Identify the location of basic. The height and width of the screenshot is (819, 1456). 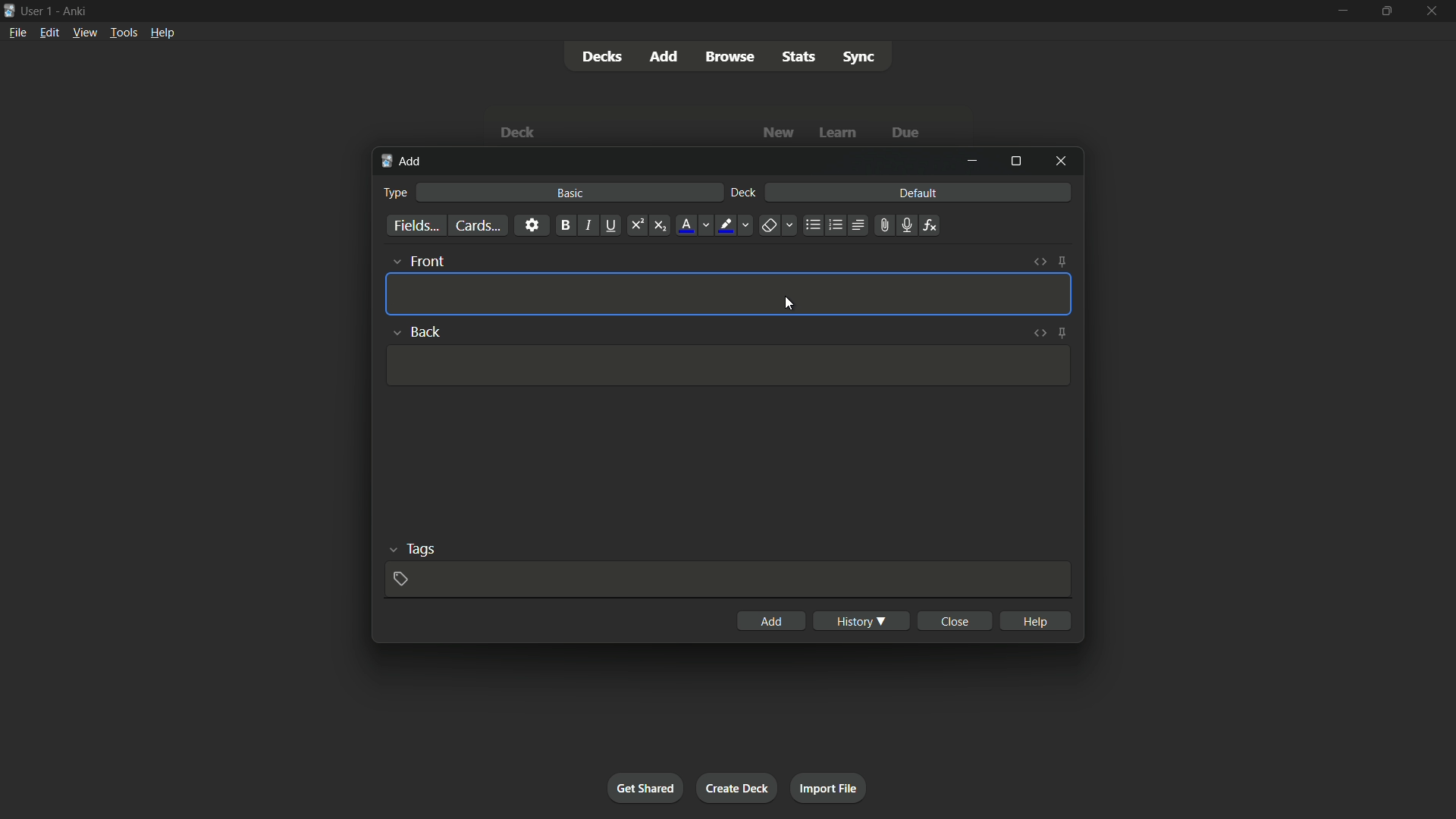
(571, 193).